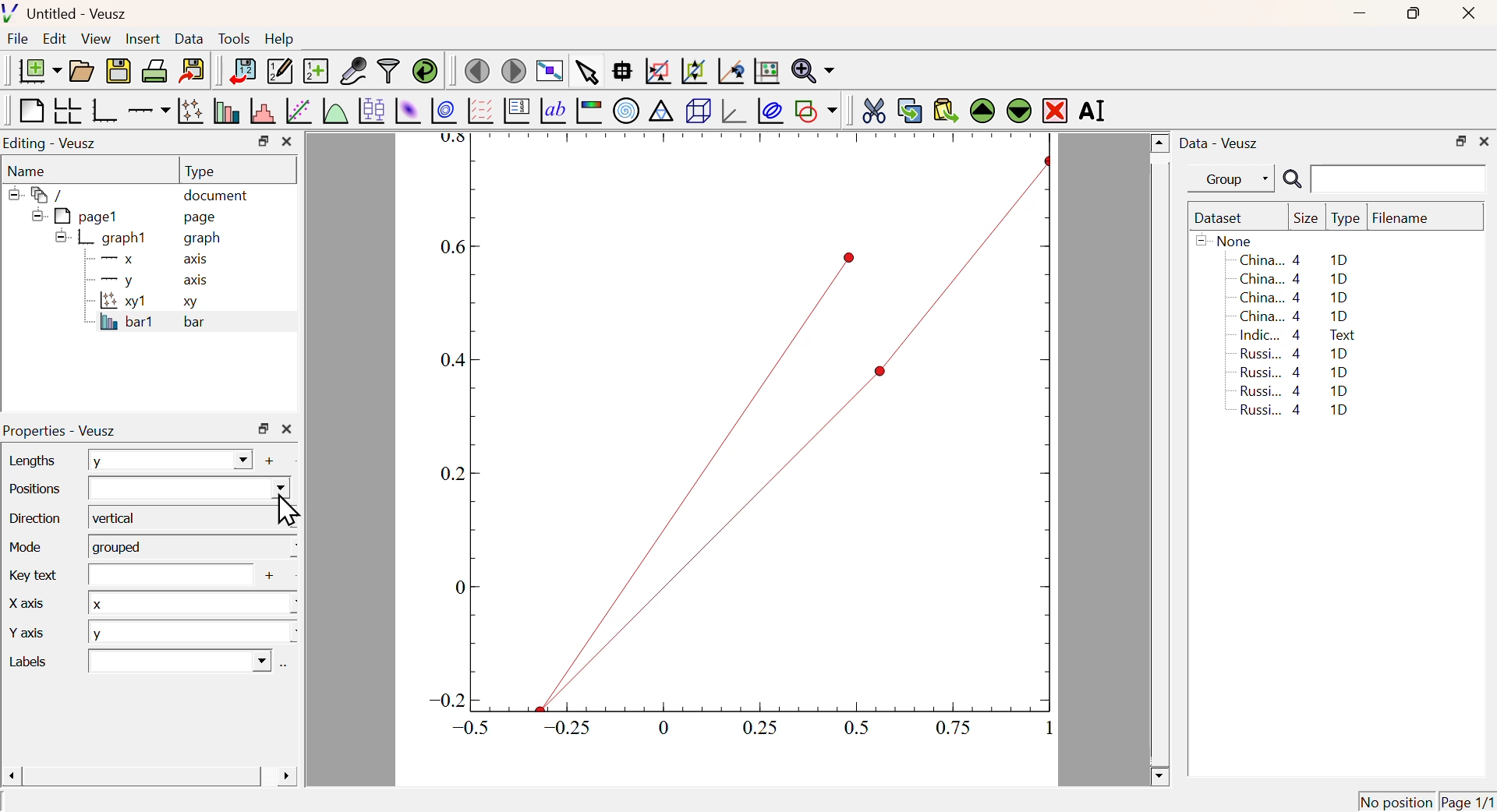  Describe the element at coordinates (622, 70) in the screenshot. I see `Read Data points on graph` at that location.